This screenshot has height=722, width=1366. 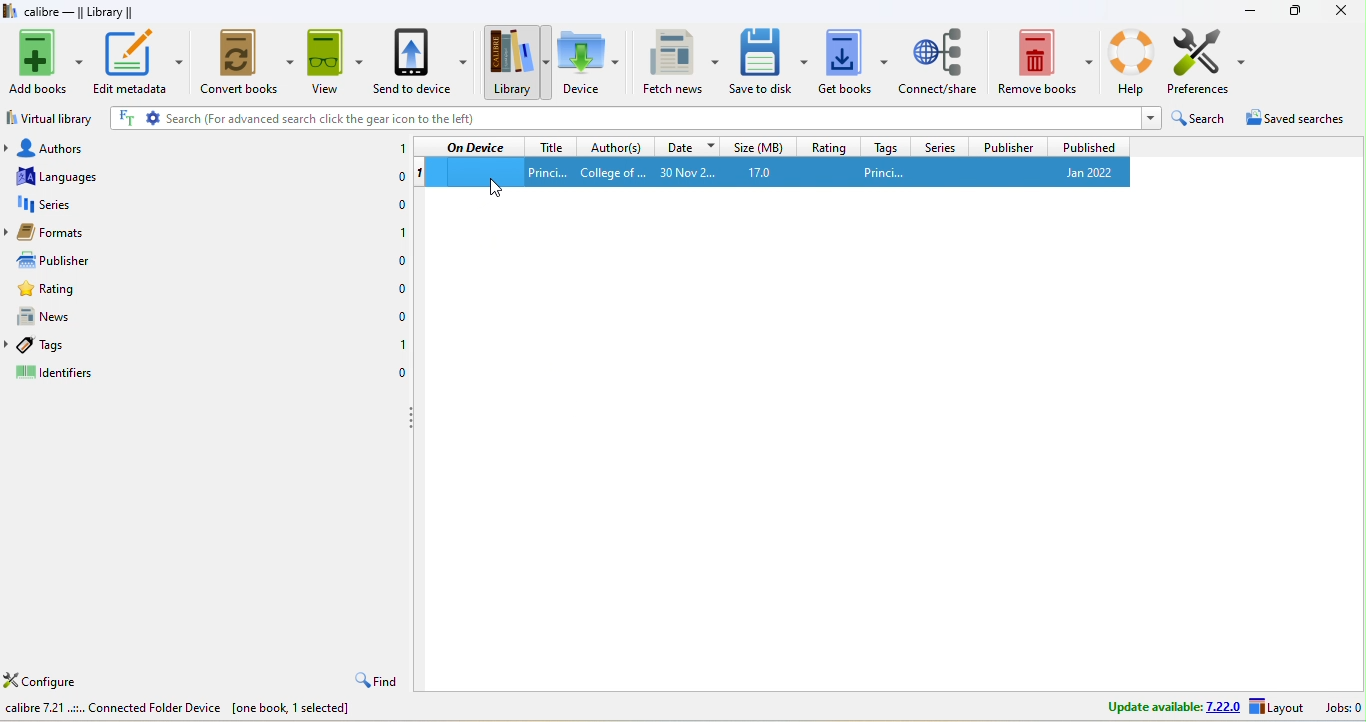 What do you see at coordinates (398, 232) in the screenshot?
I see `1` at bounding box center [398, 232].